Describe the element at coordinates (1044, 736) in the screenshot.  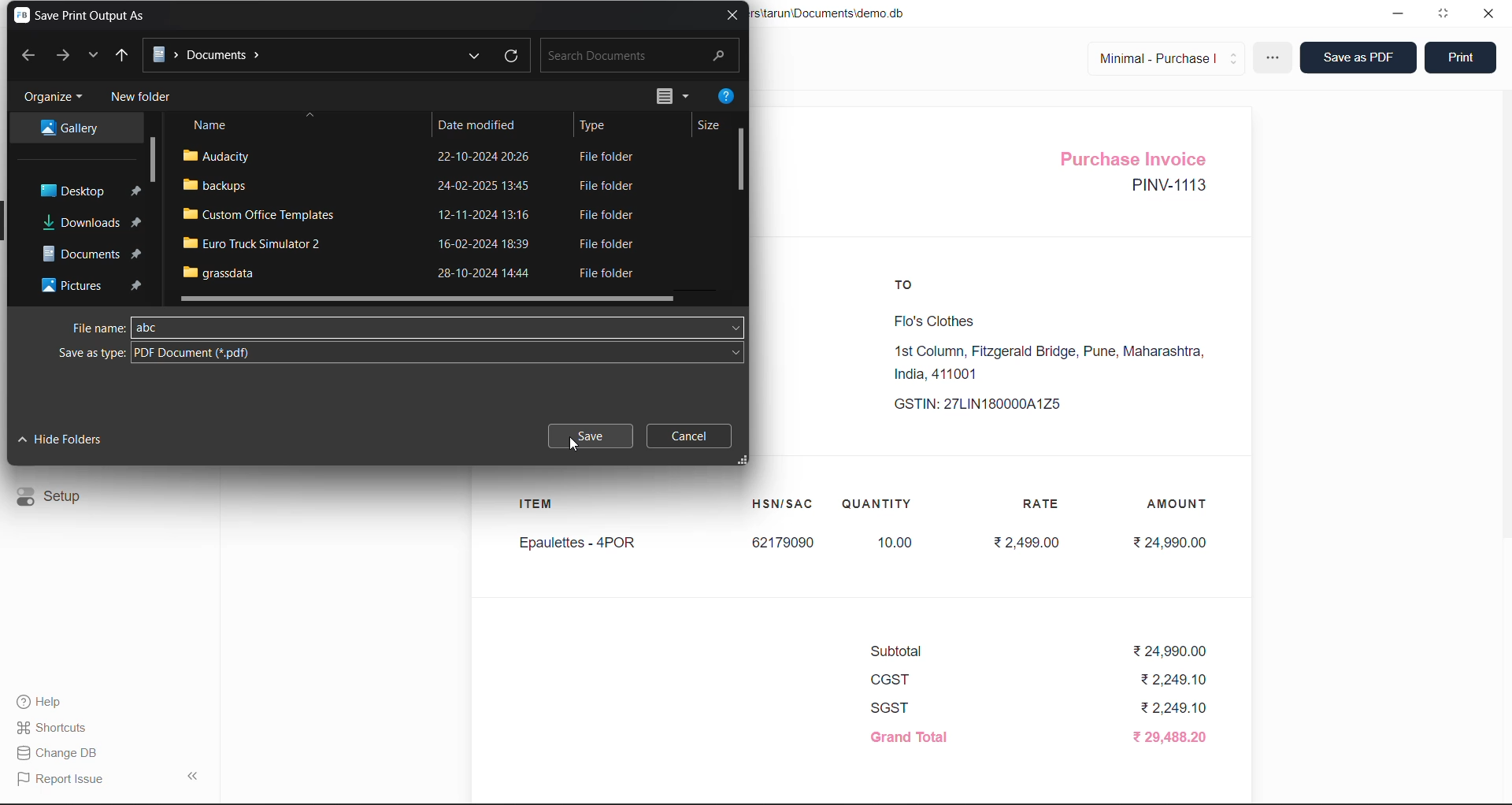
I see `Grand Total ₹ 29,488.20` at that location.